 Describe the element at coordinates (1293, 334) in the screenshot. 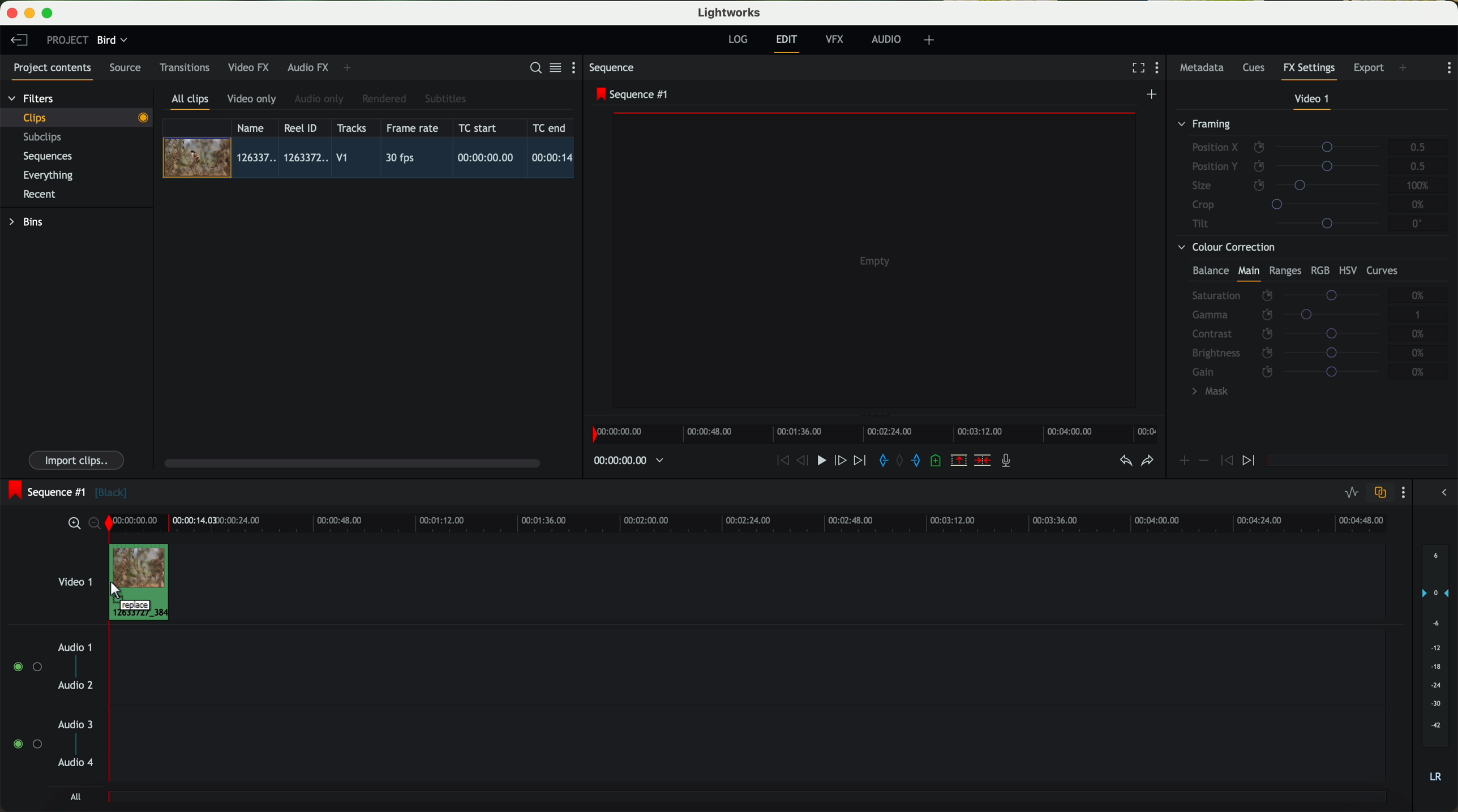

I see `contrast` at that location.